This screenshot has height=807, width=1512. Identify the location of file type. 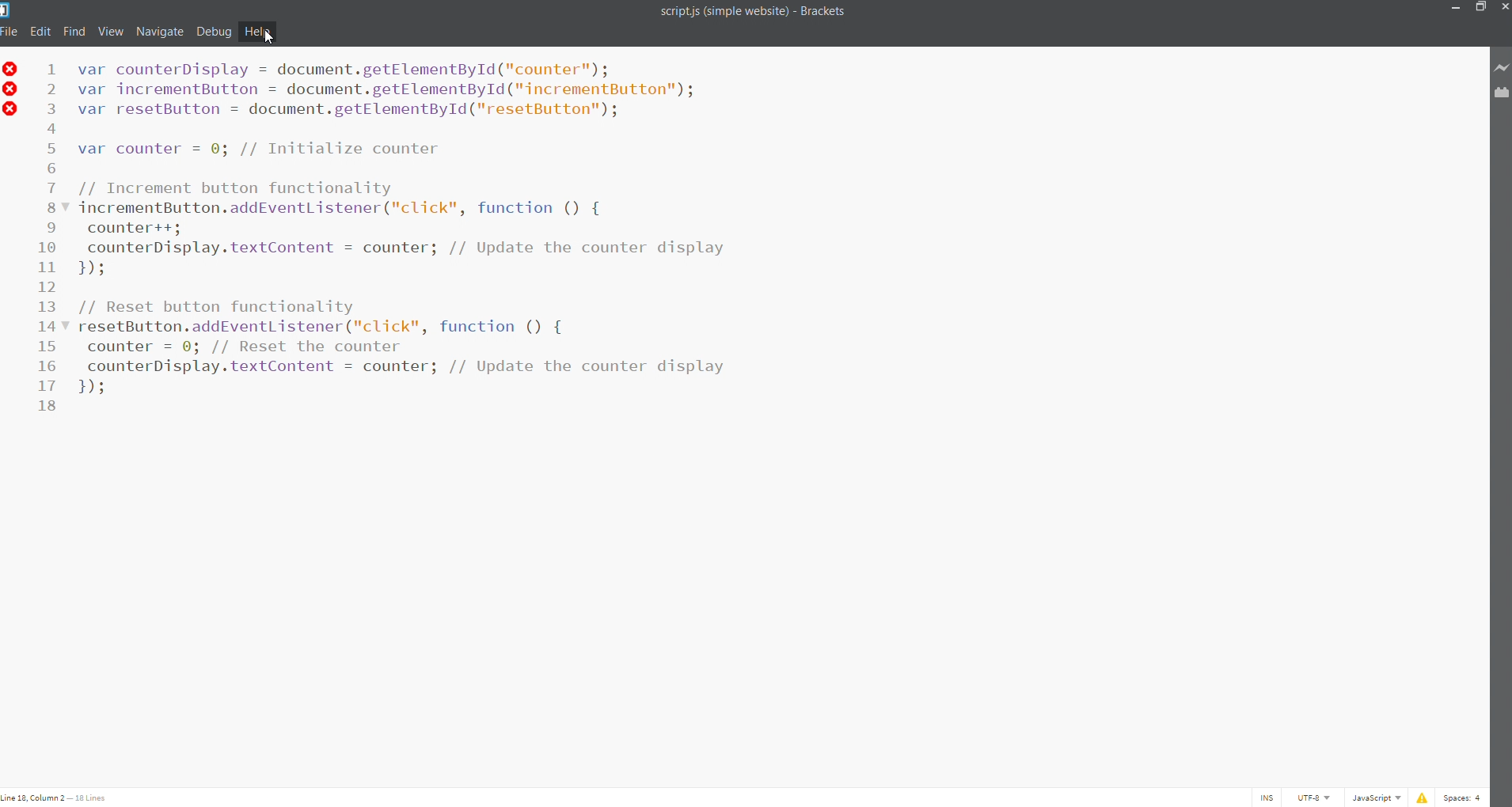
(1374, 798).